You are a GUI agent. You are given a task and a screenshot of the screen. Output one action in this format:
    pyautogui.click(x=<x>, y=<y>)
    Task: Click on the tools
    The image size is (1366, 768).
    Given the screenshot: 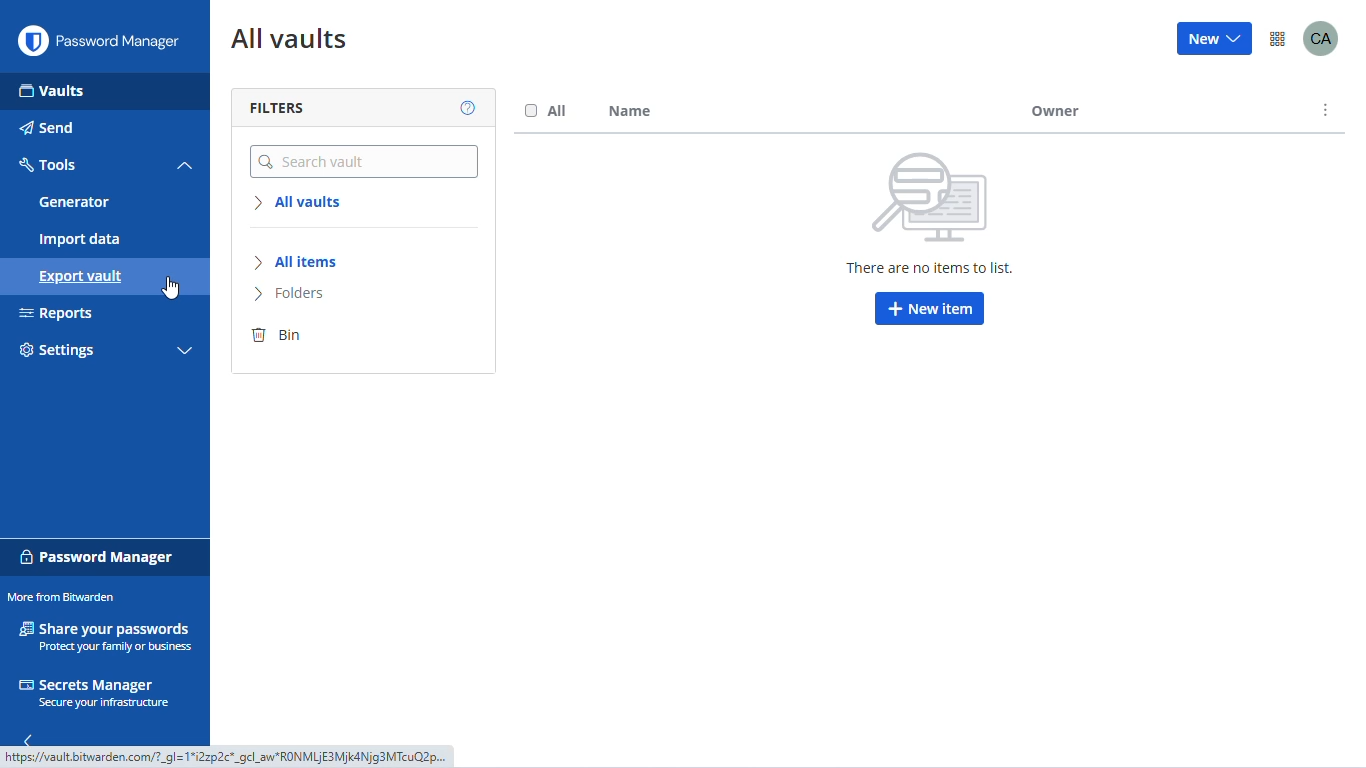 What is the action you would take?
    pyautogui.click(x=50, y=165)
    